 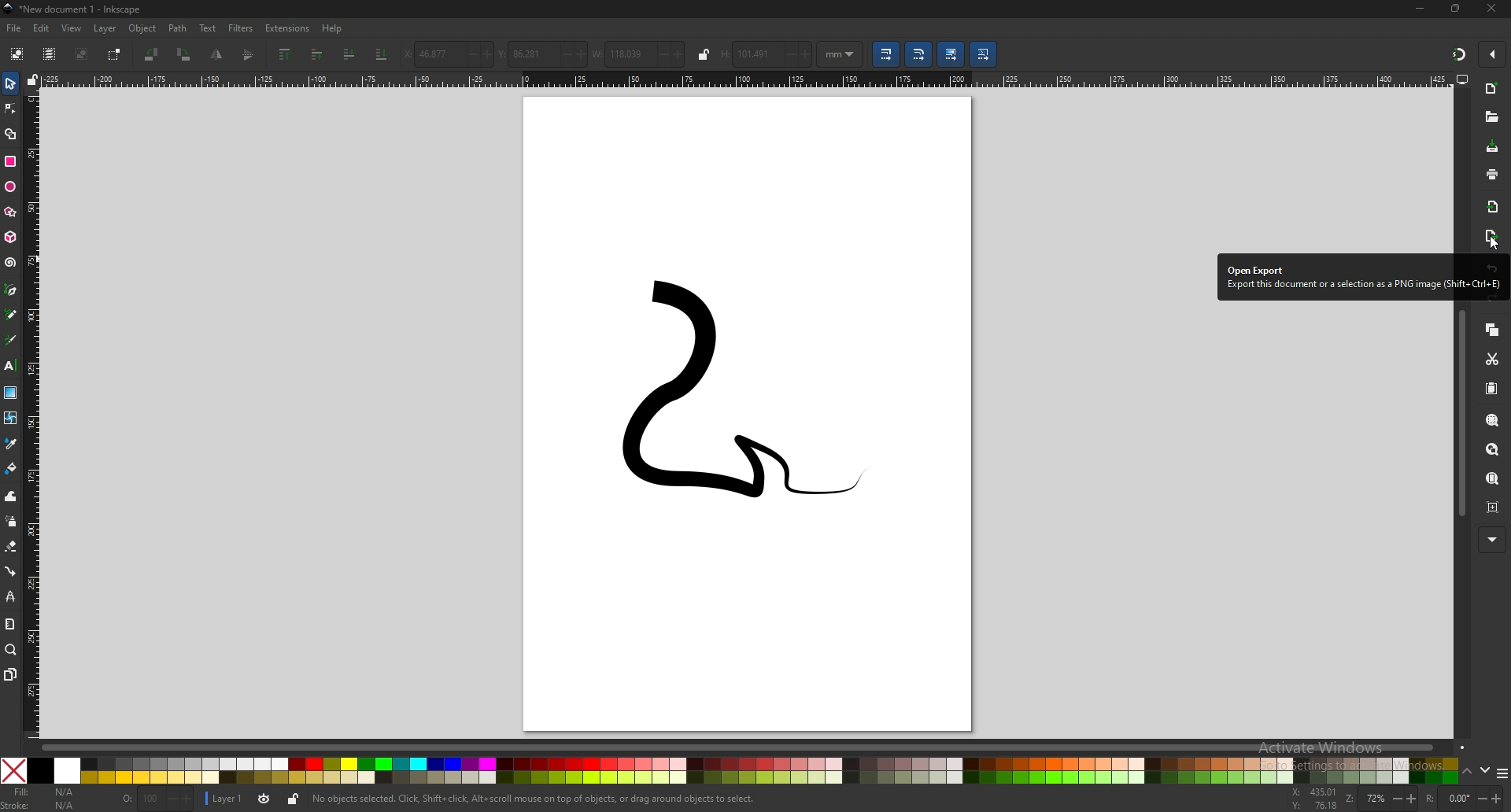 What do you see at coordinates (1491, 238) in the screenshot?
I see `export` at bounding box center [1491, 238].